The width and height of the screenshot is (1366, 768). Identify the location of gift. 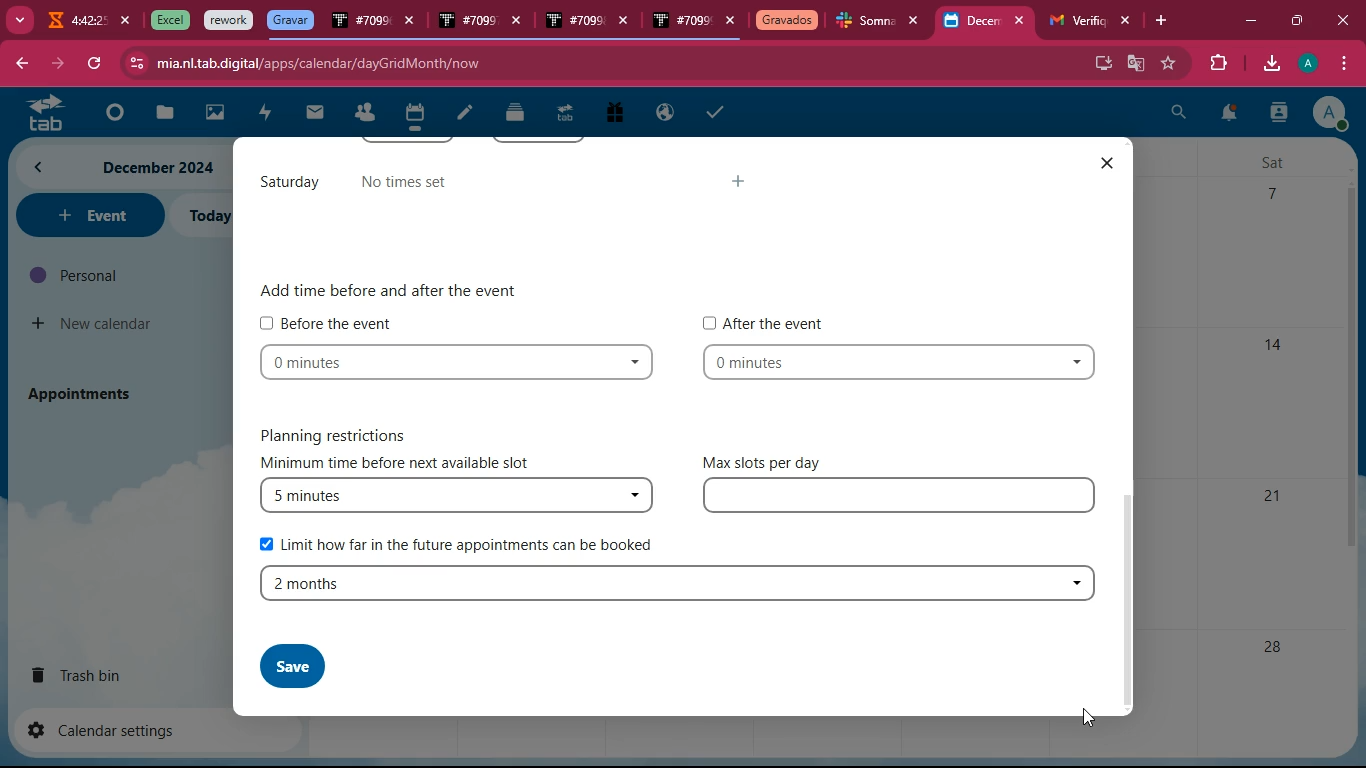
(613, 114).